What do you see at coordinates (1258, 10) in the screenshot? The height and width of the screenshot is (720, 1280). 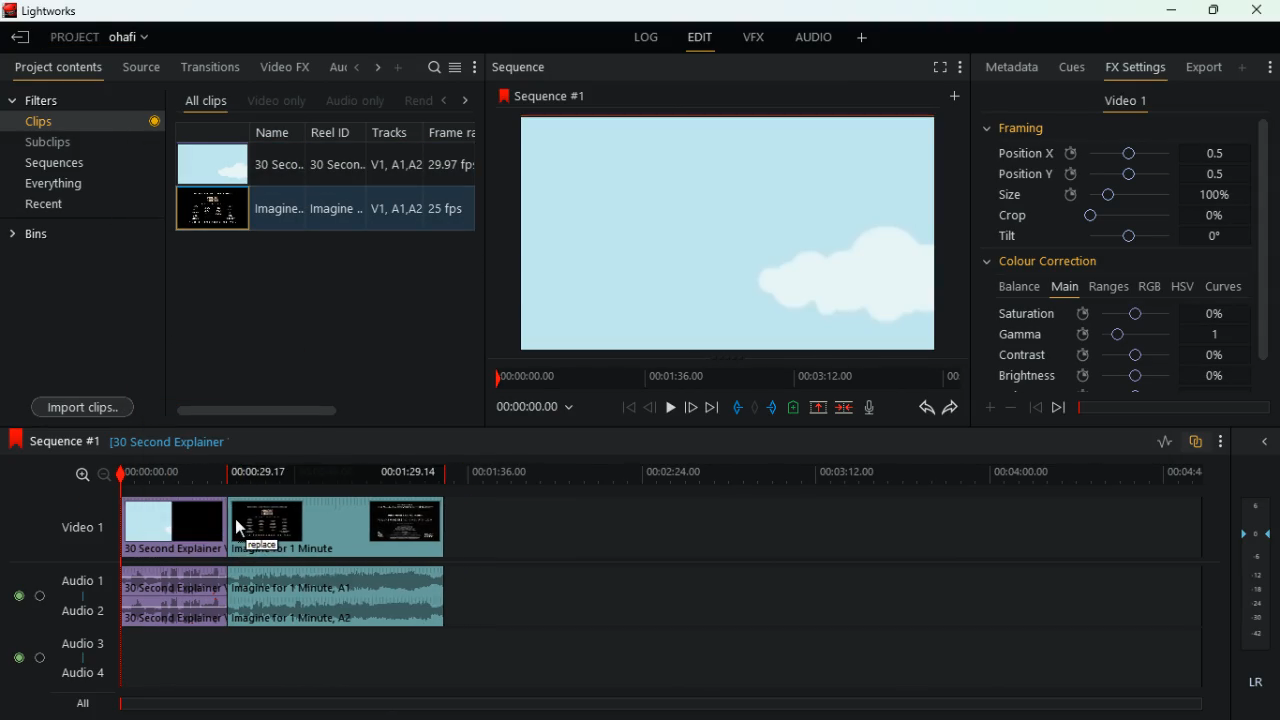 I see `close` at bounding box center [1258, 10].